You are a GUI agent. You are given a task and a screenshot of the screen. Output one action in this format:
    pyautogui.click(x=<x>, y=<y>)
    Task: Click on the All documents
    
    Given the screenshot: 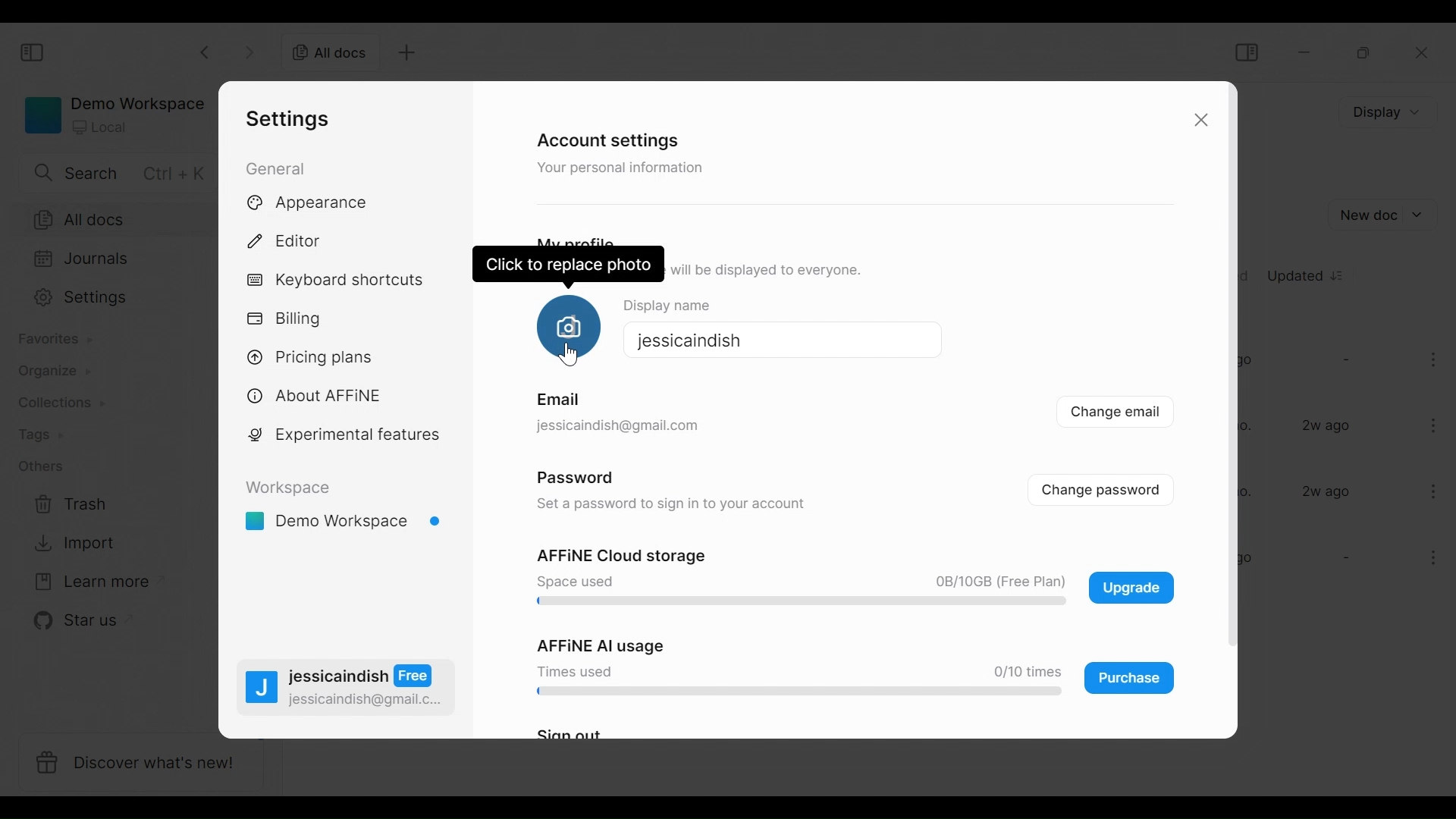 What is the action you would take?
    pyautogui.click(x=331, y=54)
    